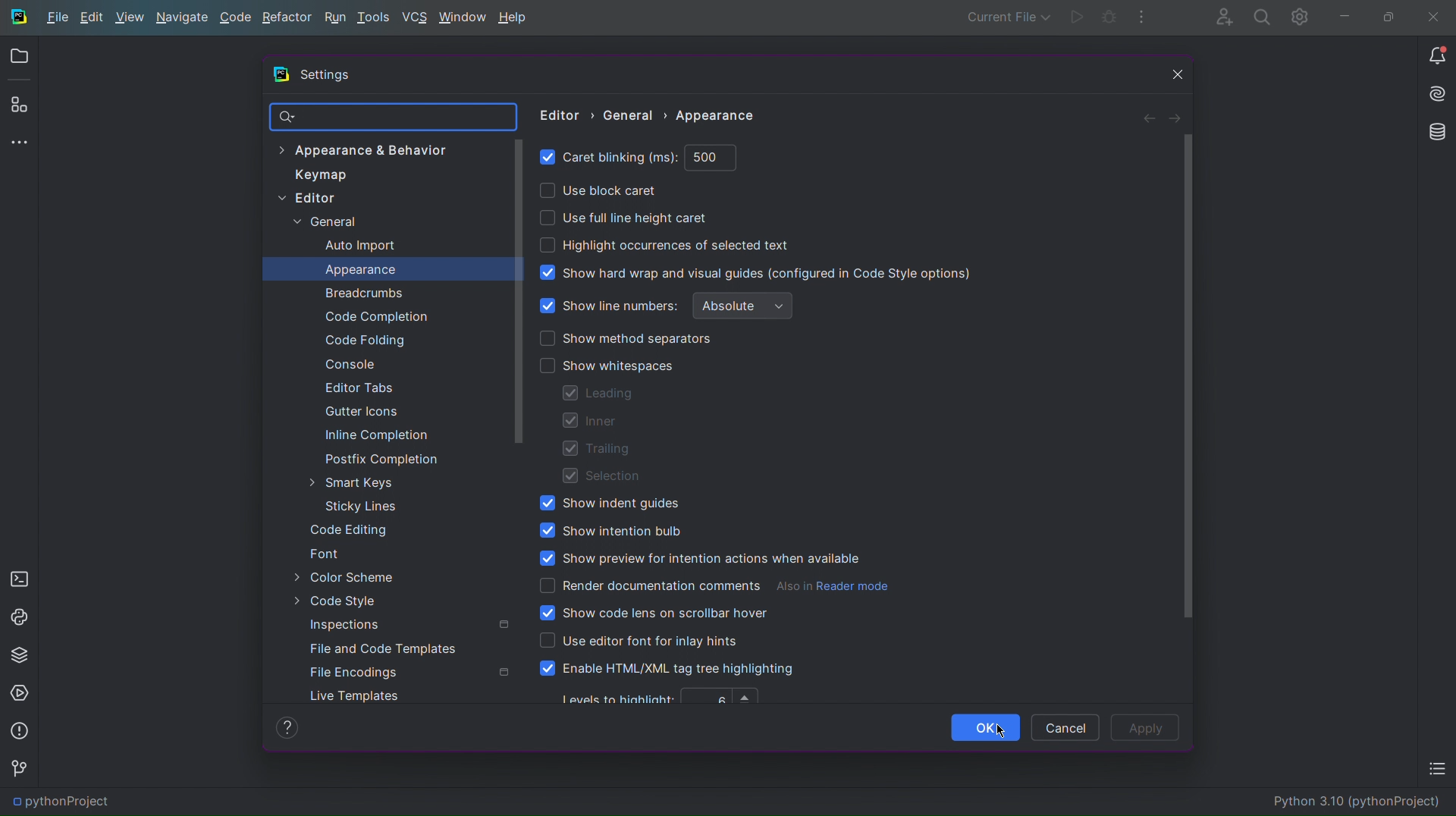  Describe the element at coordinates (361, 270) in the screenshot. I see `Appearance` at that location.